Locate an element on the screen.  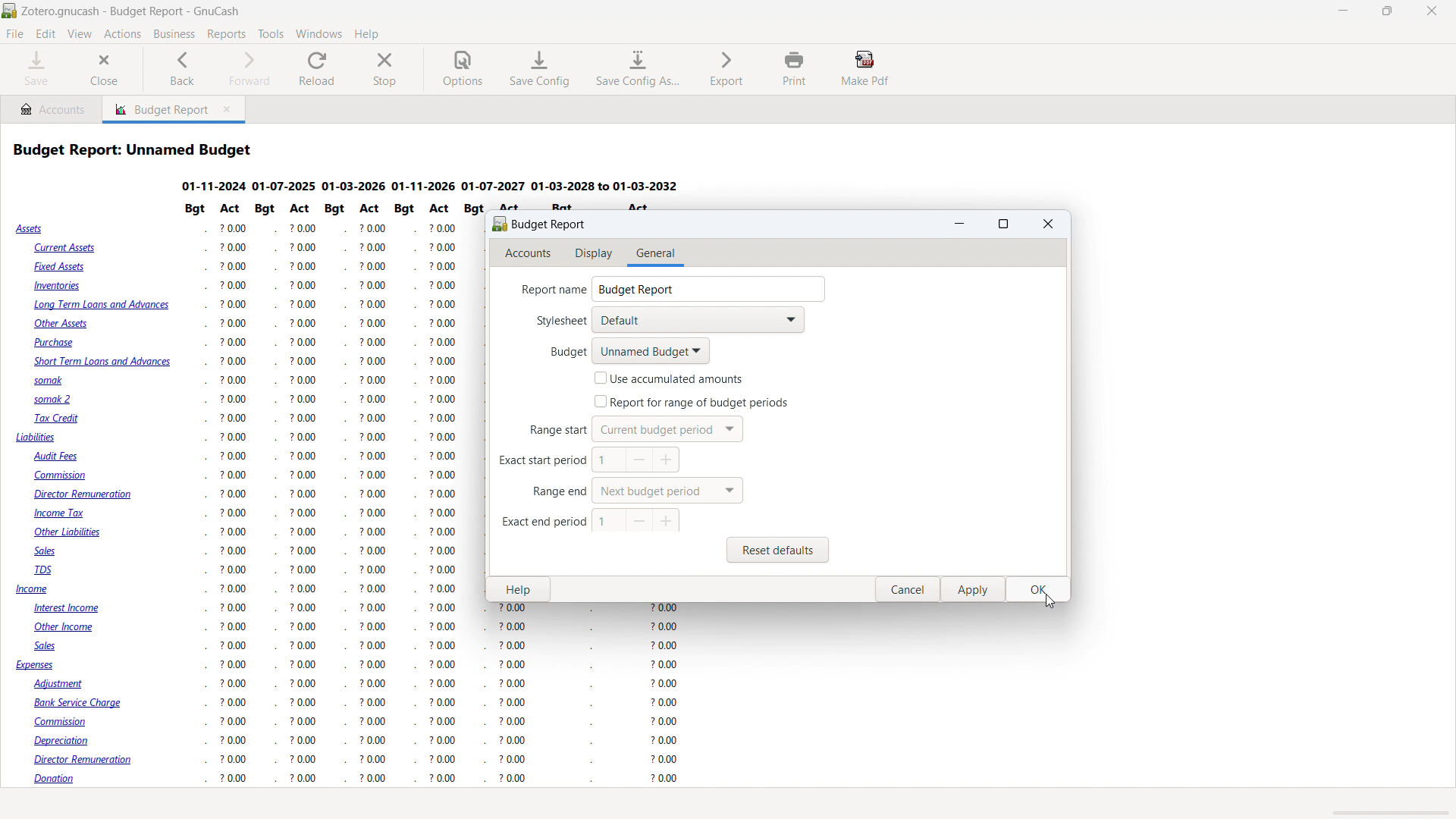
current Assets is located at coordinates (63, 248).